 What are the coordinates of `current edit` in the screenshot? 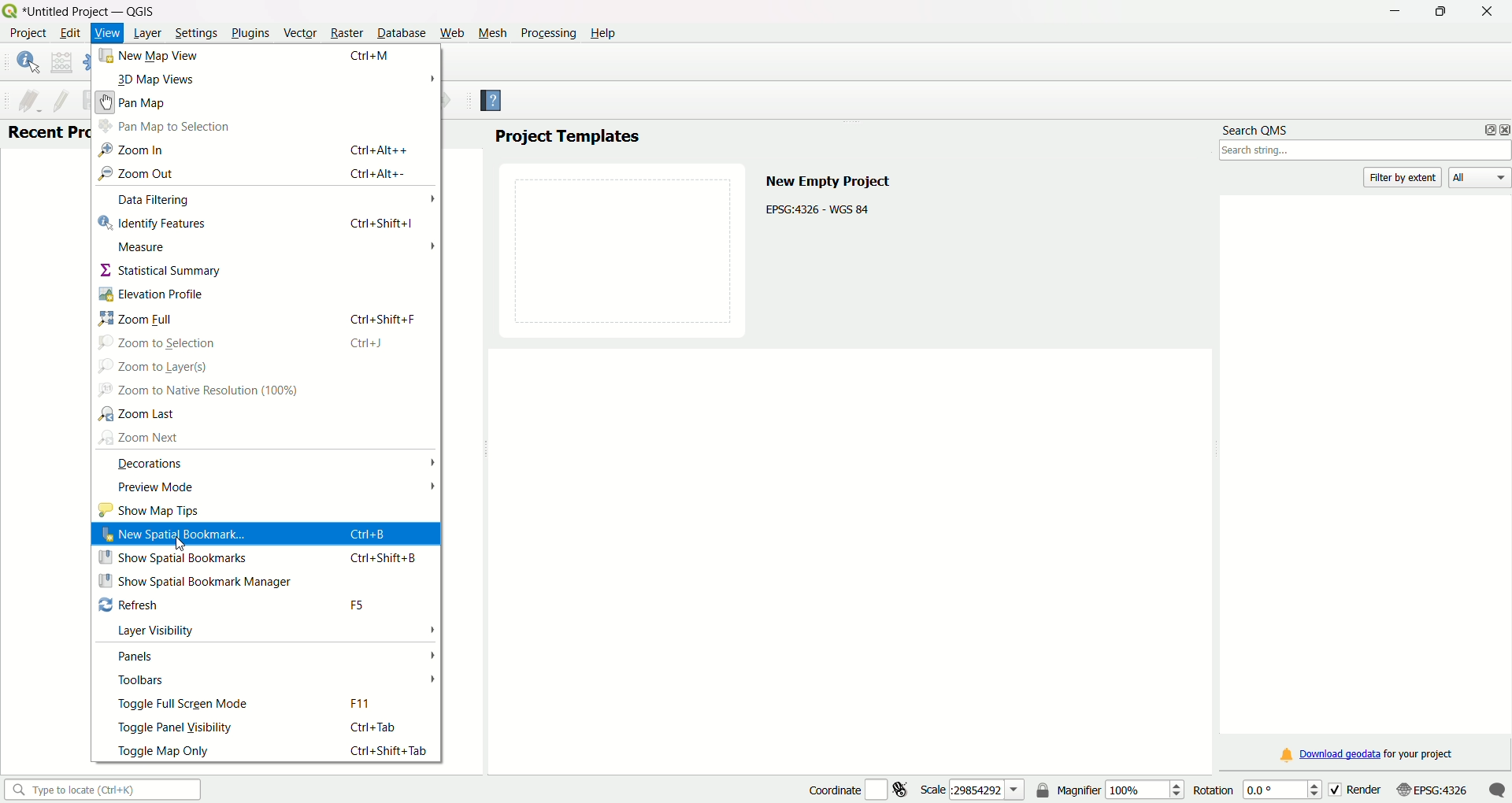 It's located at (23, 99).